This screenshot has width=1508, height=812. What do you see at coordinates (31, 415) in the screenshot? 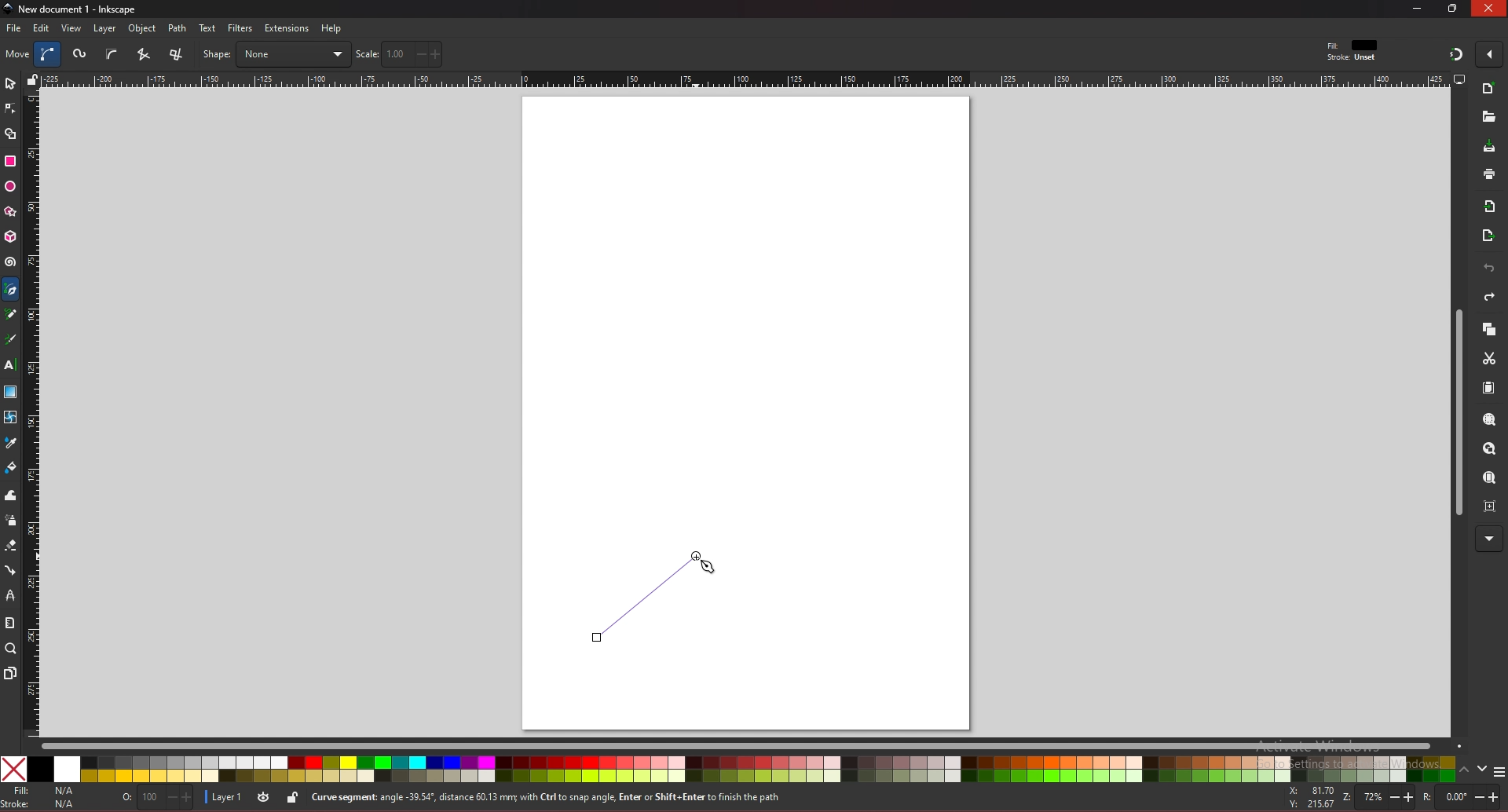
I see `vertical rule` at bounding box center [31, 415].